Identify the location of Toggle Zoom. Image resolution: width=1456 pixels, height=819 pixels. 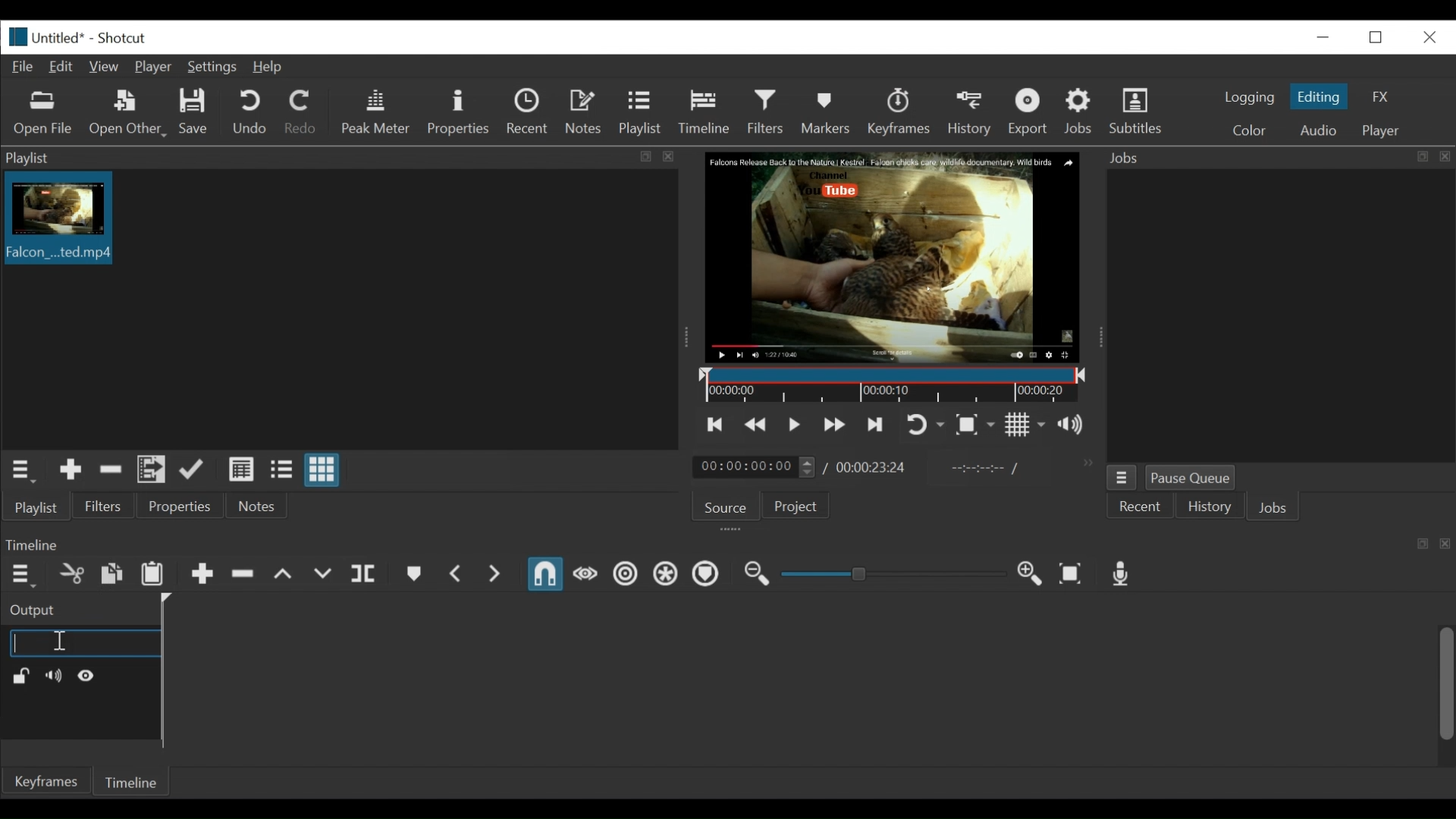
(976, 424).